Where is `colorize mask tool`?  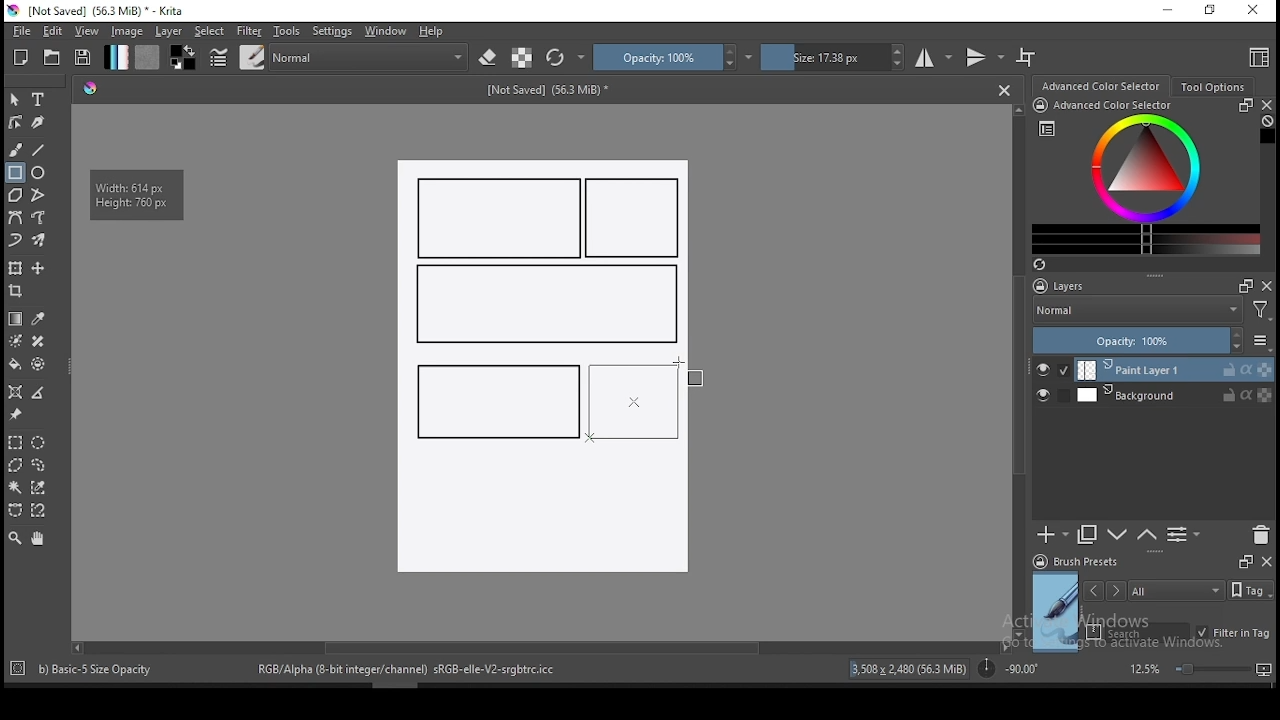
colorize mask tool is located at coordinates (17, 341).